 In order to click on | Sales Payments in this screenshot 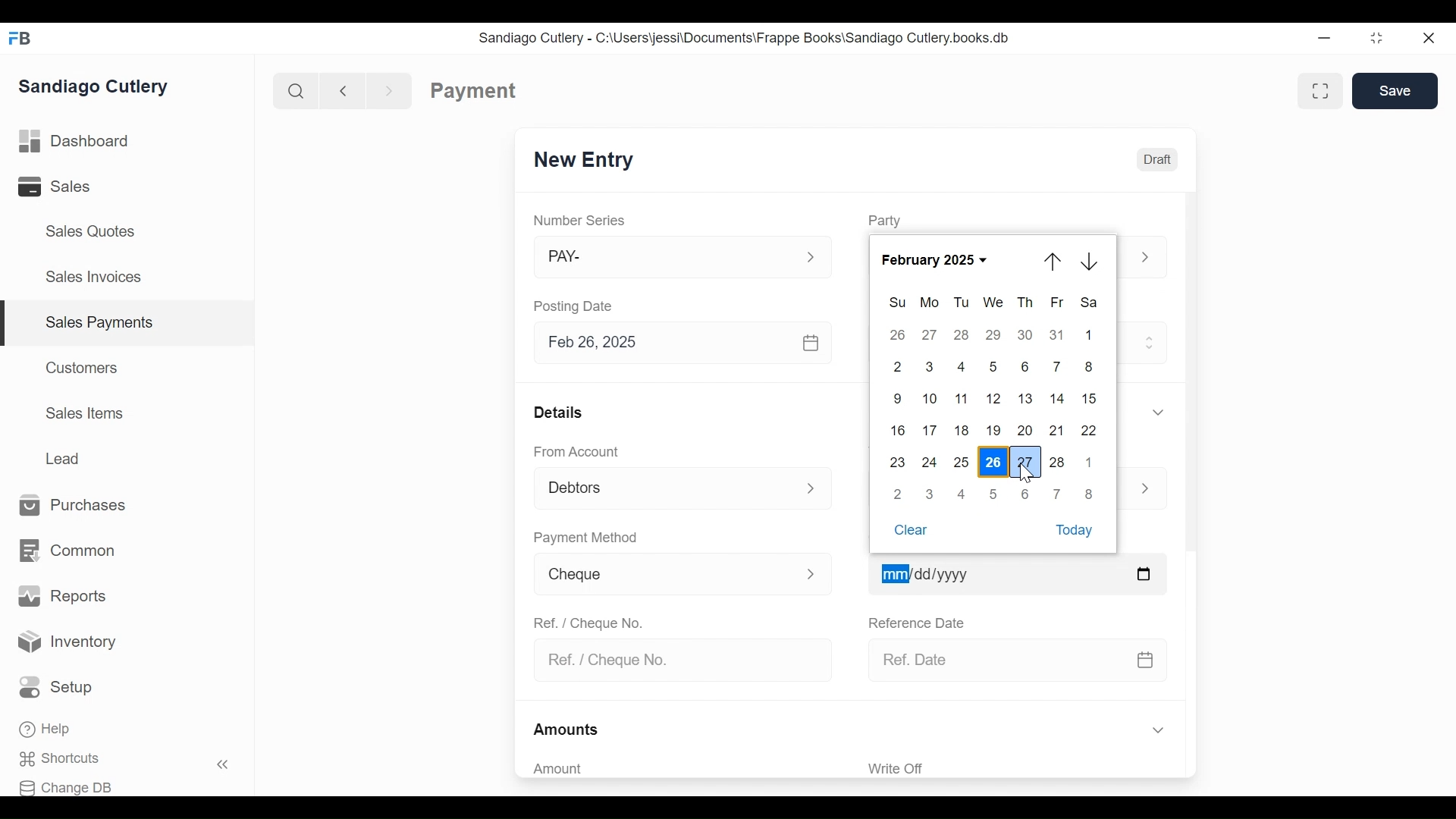, I will do `click(129, 324)`.